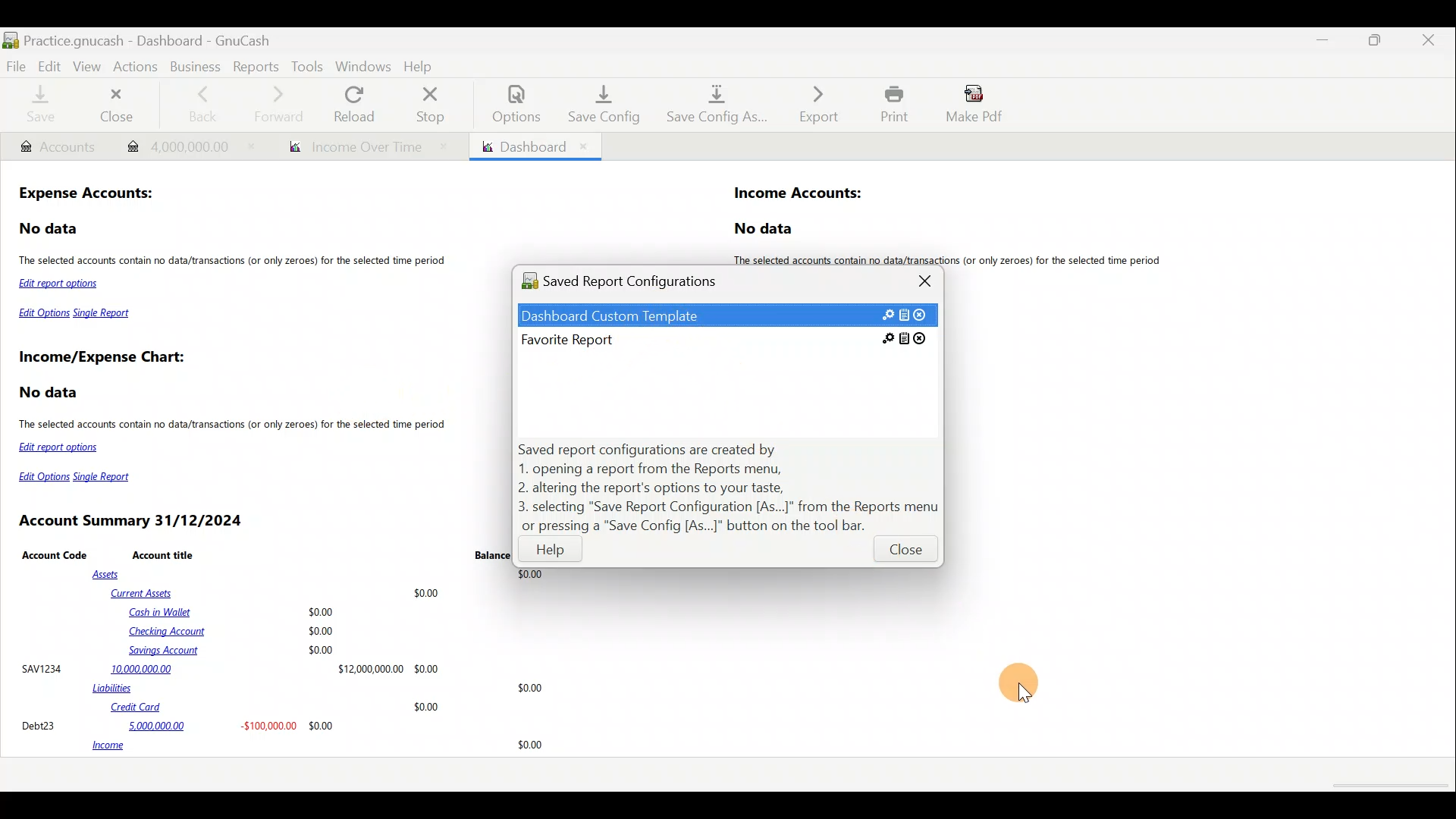 This screenshot has height=819, width=1456. What do you see at coordinates (202, 102) in the screenshot?
I see `Back` at bounding box center [202, 102].